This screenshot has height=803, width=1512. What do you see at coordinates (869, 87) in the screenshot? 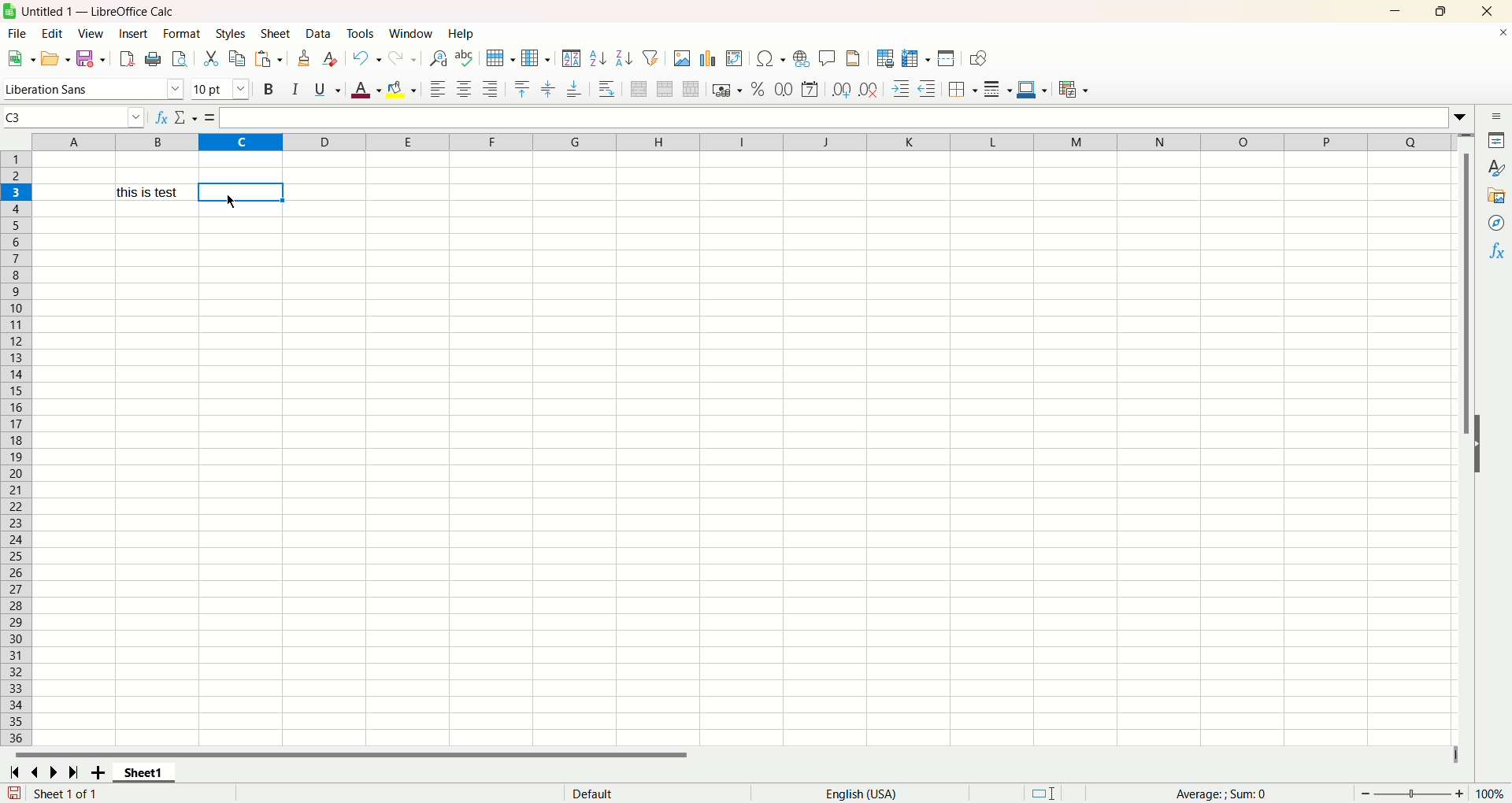
I see `remove decimal places` at bounding box center [869, 87].